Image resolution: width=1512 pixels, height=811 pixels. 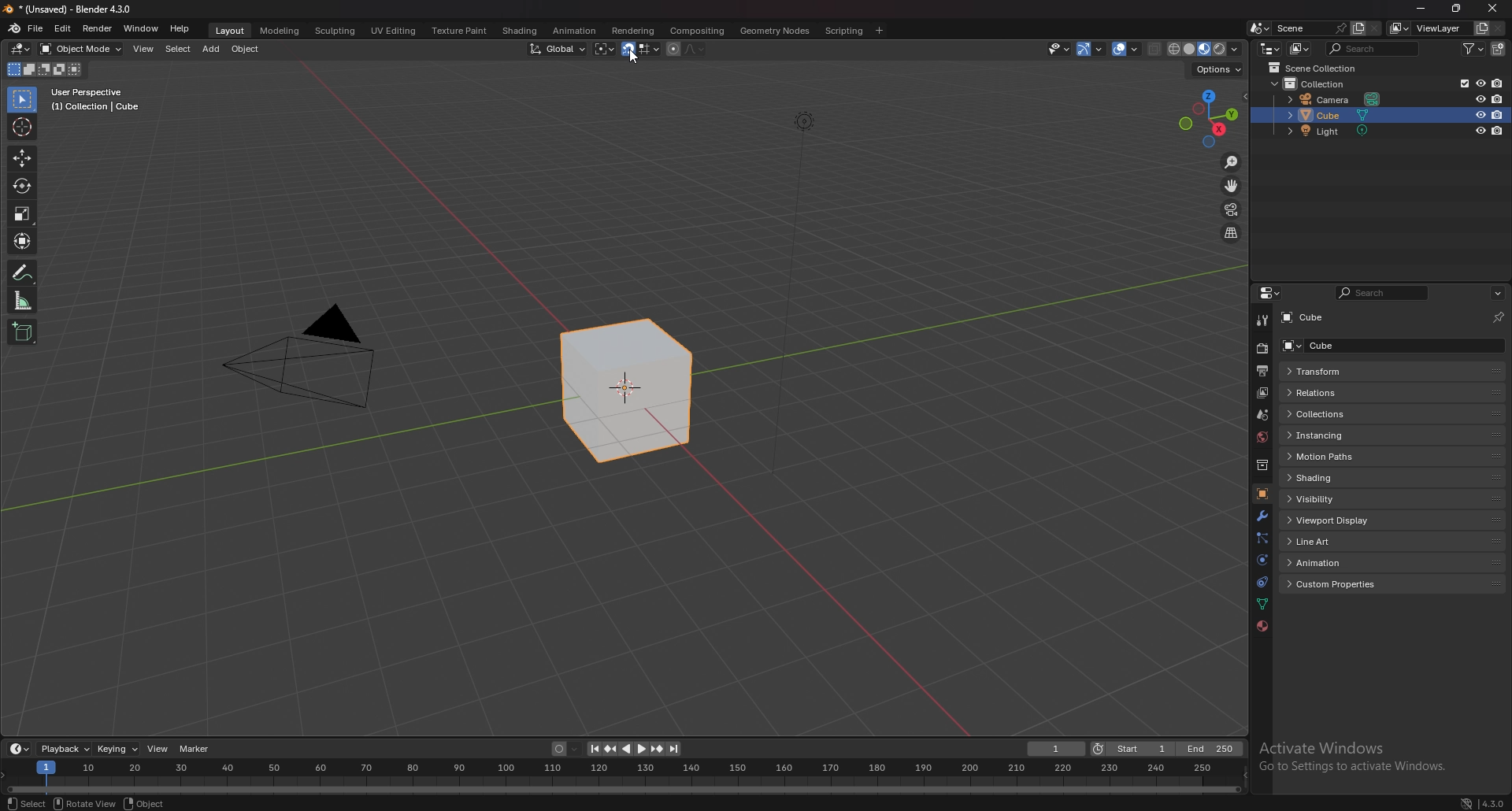 I want to click on hide in viewport, so click(x=1480, y=83).